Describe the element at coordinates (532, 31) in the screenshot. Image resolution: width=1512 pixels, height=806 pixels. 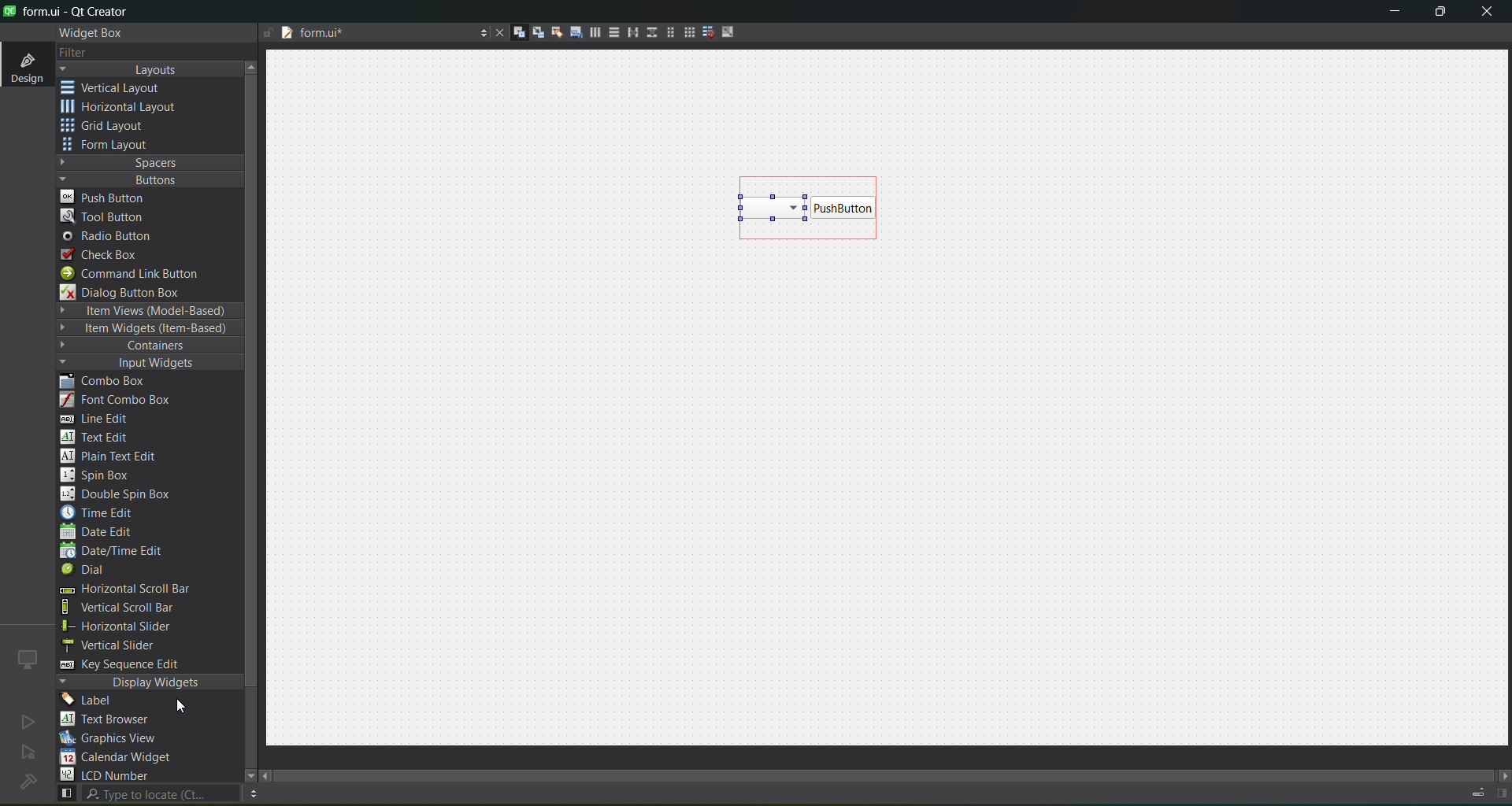
I see `edit signals` at that location.